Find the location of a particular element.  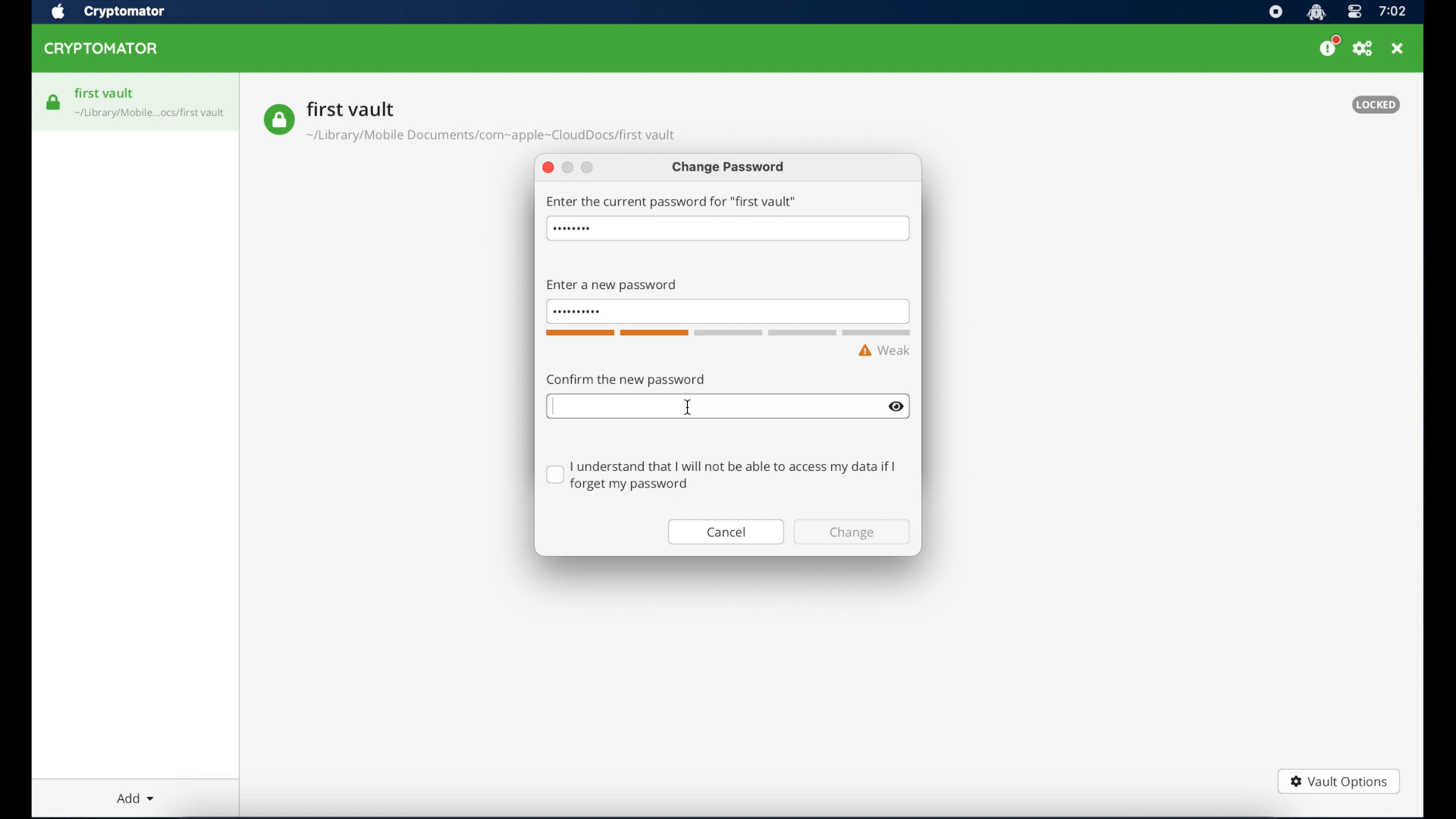

screen recorder icon is located at coordinates (1276, 13).